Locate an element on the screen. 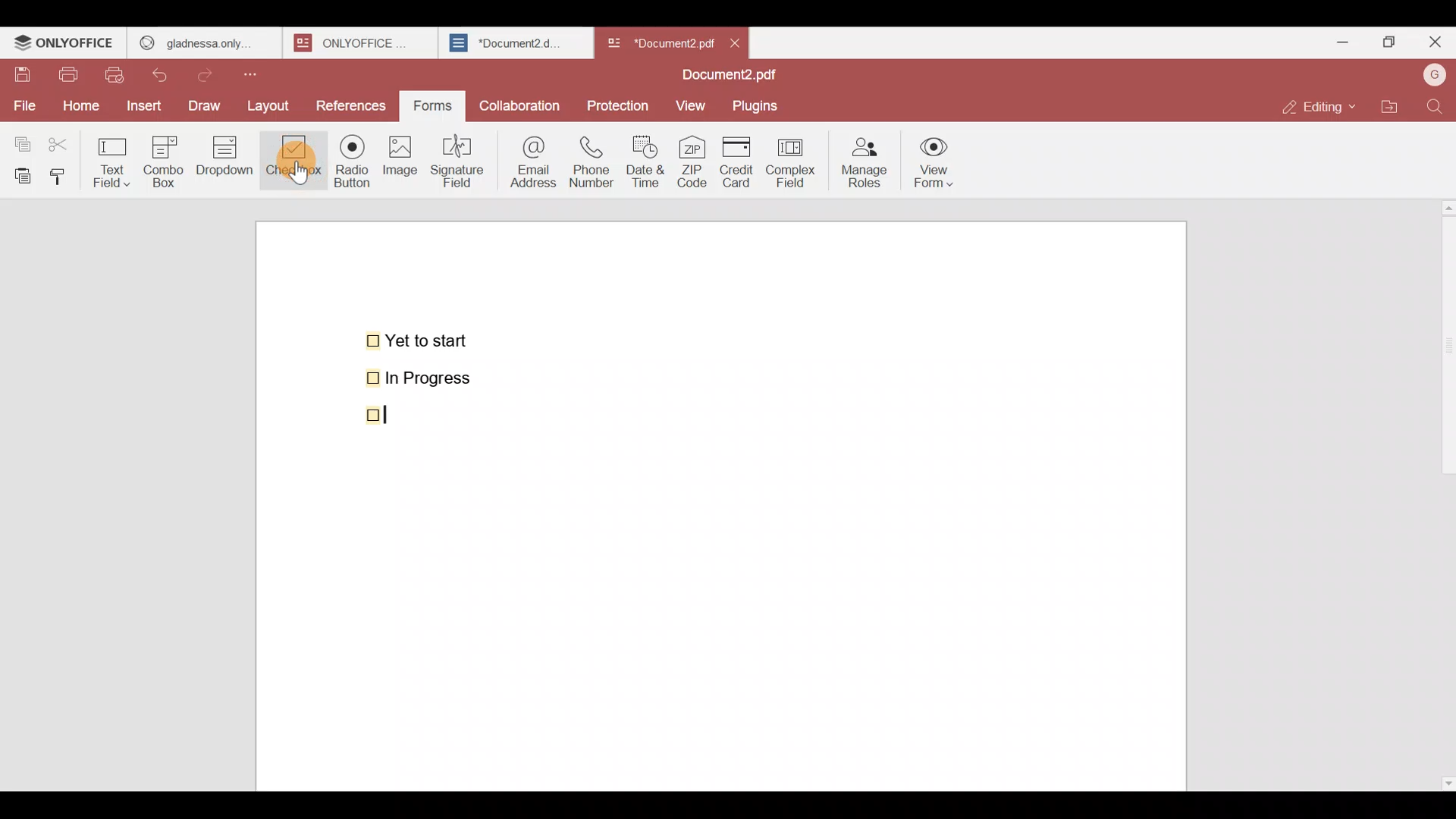  Forms is located at coordinates (434, 104).